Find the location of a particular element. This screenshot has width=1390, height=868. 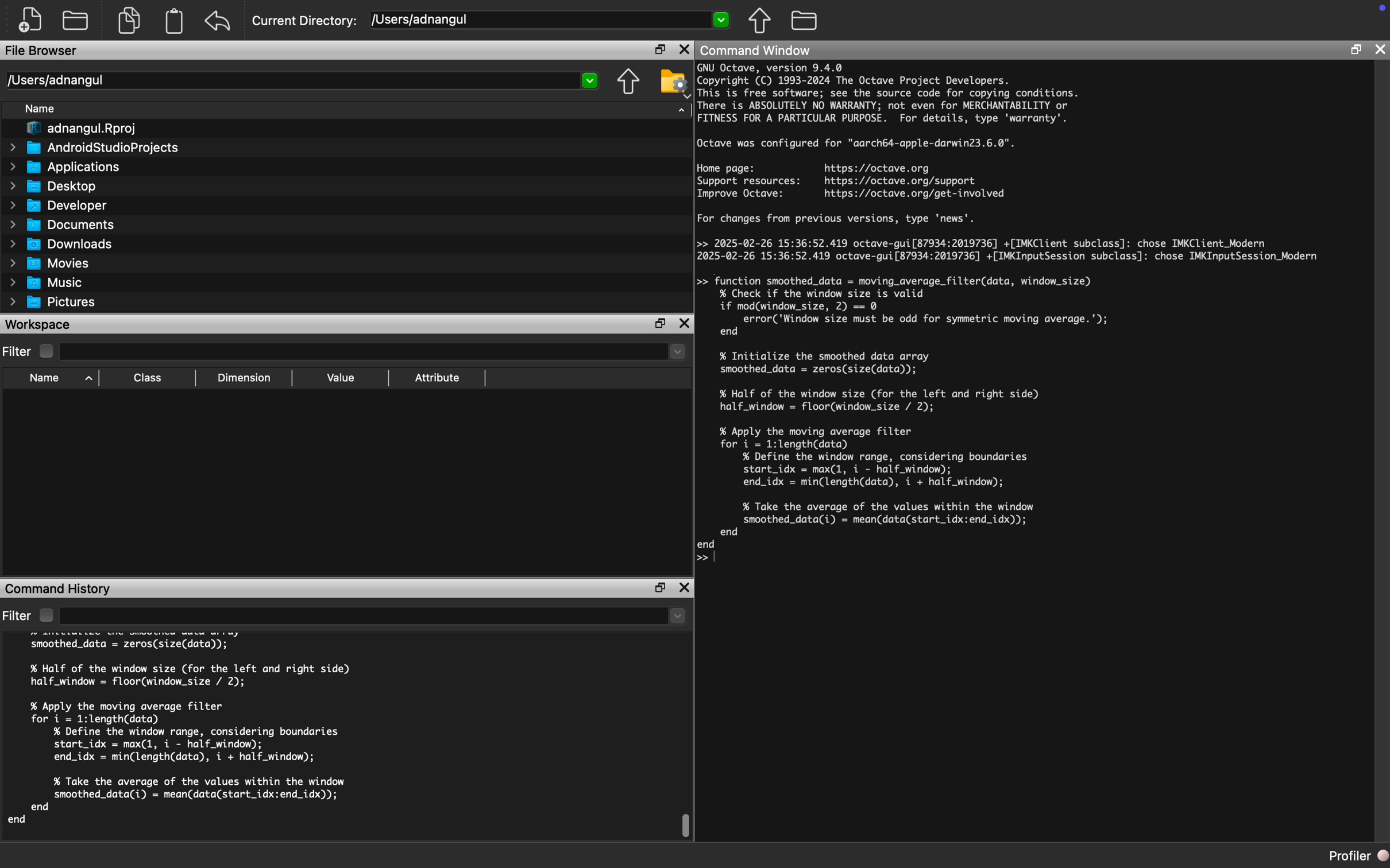

Current Directory: is located at coordinates (307, 22).